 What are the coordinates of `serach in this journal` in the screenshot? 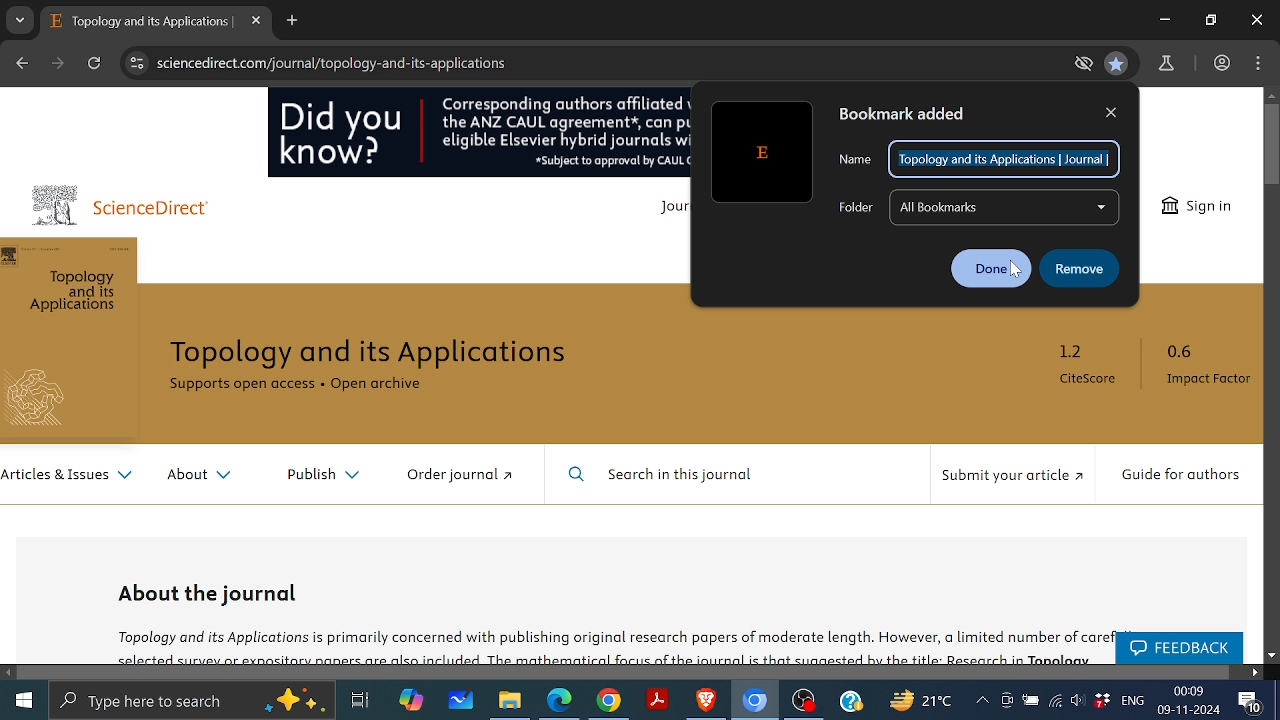 It's located at (670, 477).